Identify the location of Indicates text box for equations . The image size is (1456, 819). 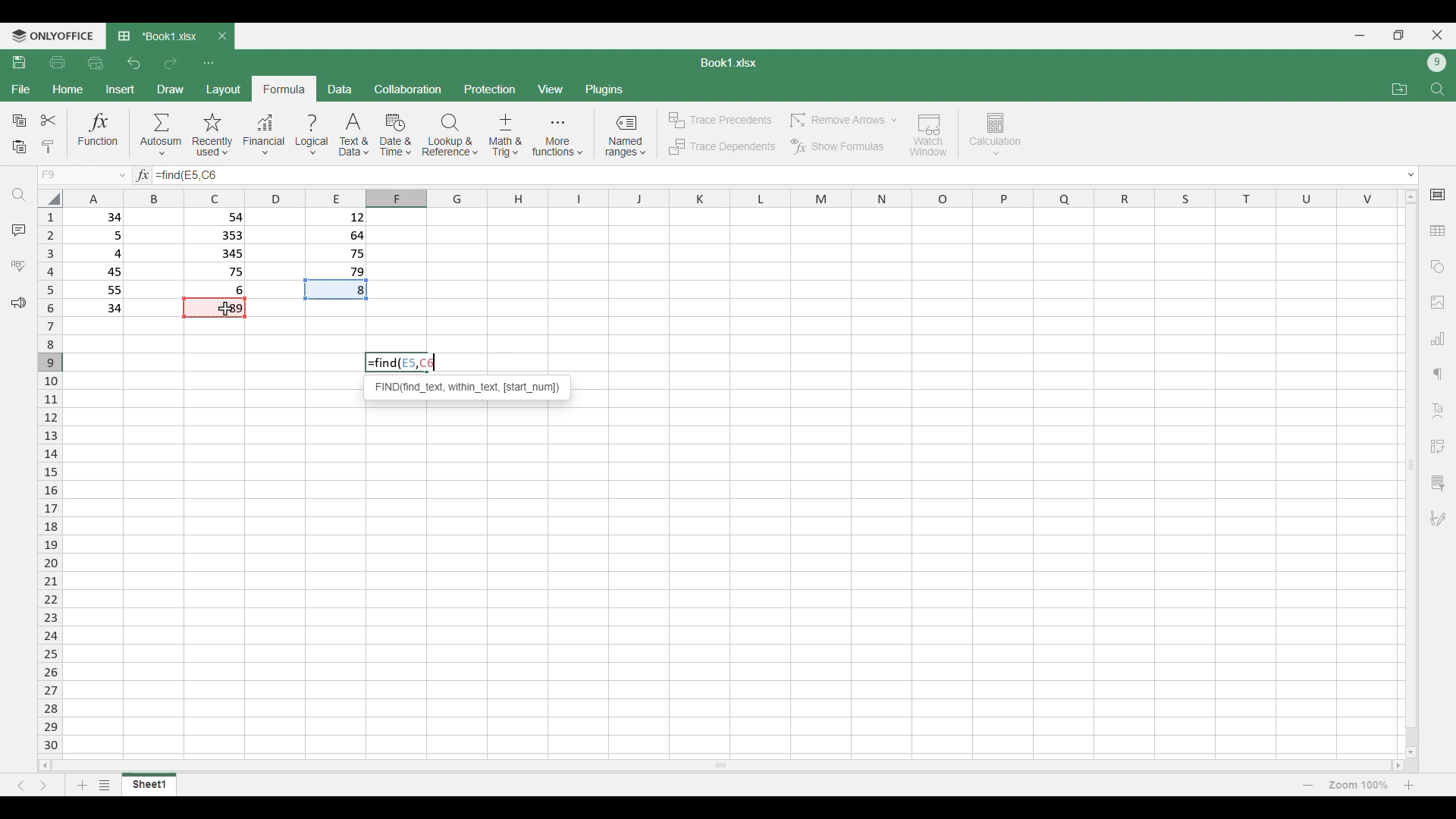
(141, 175).